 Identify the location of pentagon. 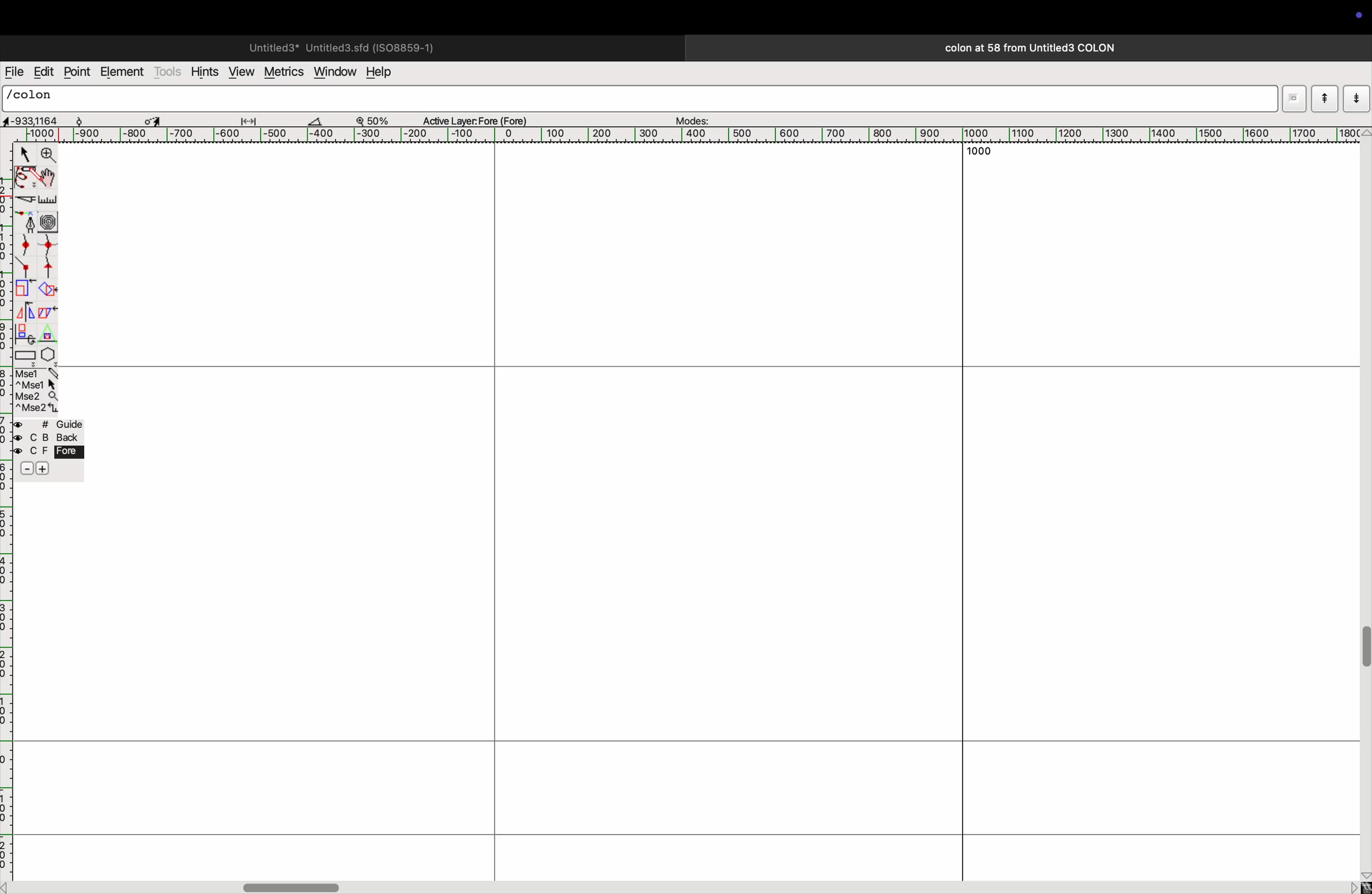
(48, 345).